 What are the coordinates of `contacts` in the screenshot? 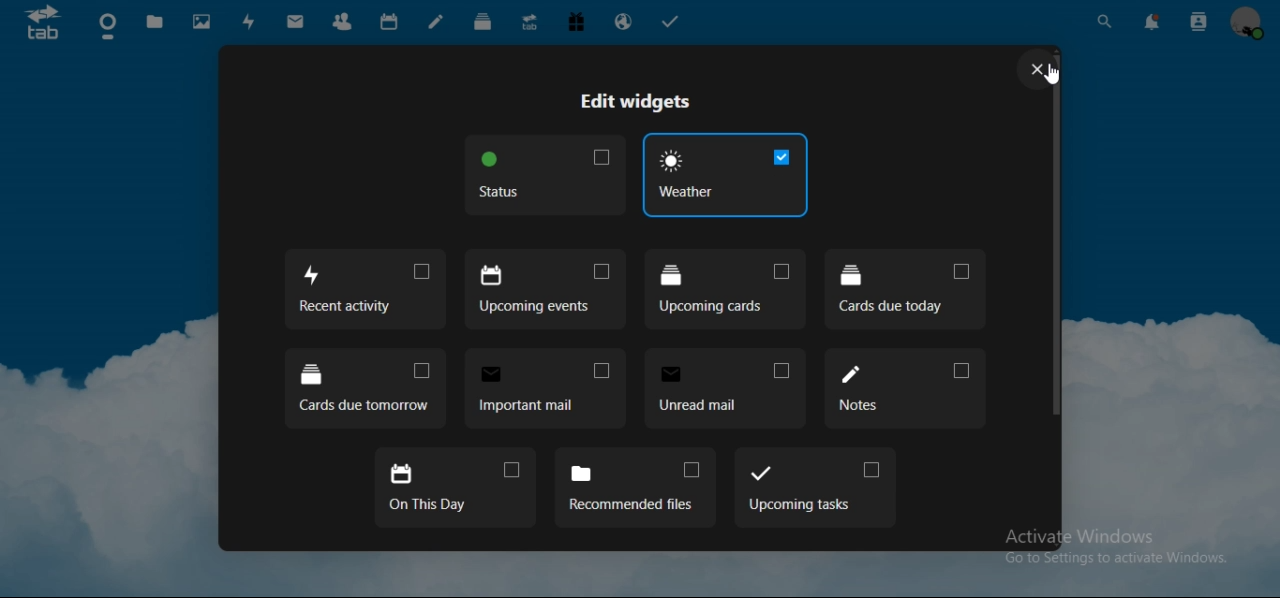 It's located at (342, 21).